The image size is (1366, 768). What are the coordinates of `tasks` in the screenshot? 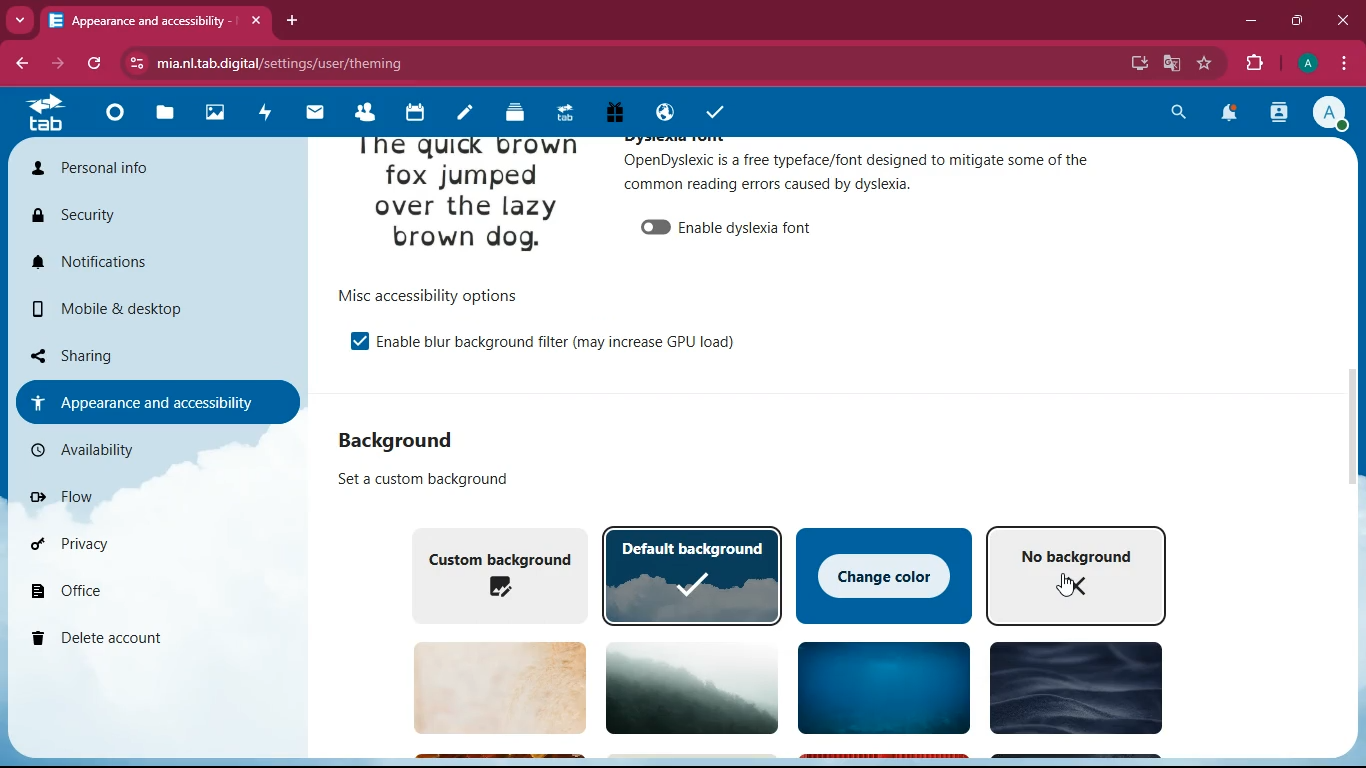 It's located at (711, 109).